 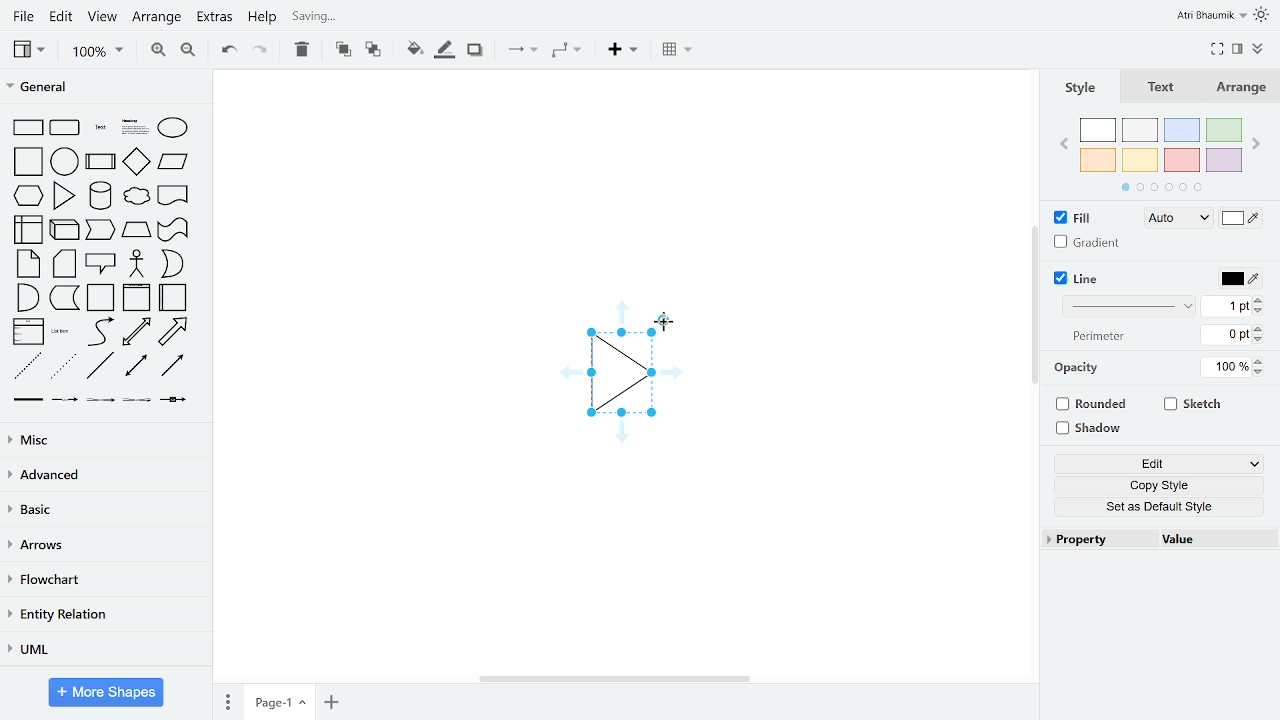 I want to click on rounded, so click(x=1094, y=403).